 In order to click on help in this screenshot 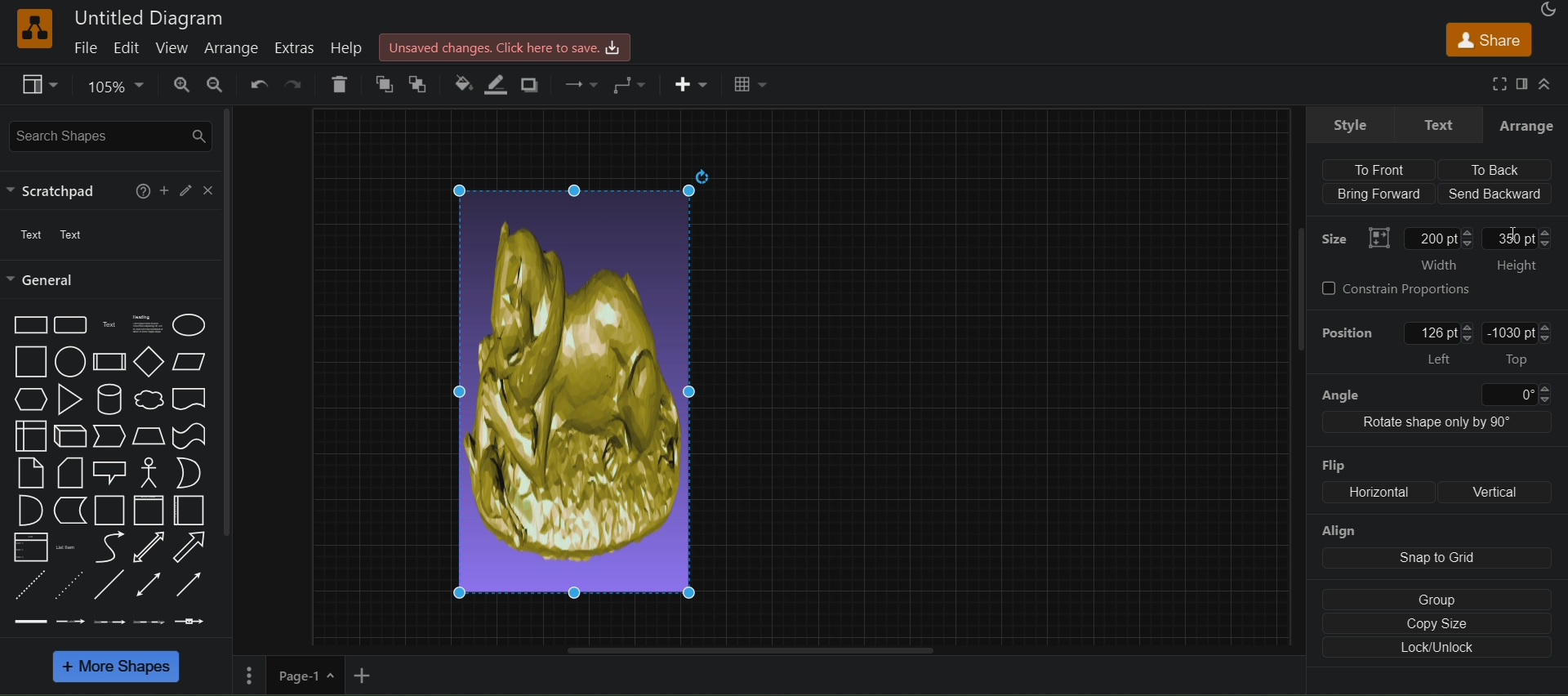, I will do `click(350, 47)`.